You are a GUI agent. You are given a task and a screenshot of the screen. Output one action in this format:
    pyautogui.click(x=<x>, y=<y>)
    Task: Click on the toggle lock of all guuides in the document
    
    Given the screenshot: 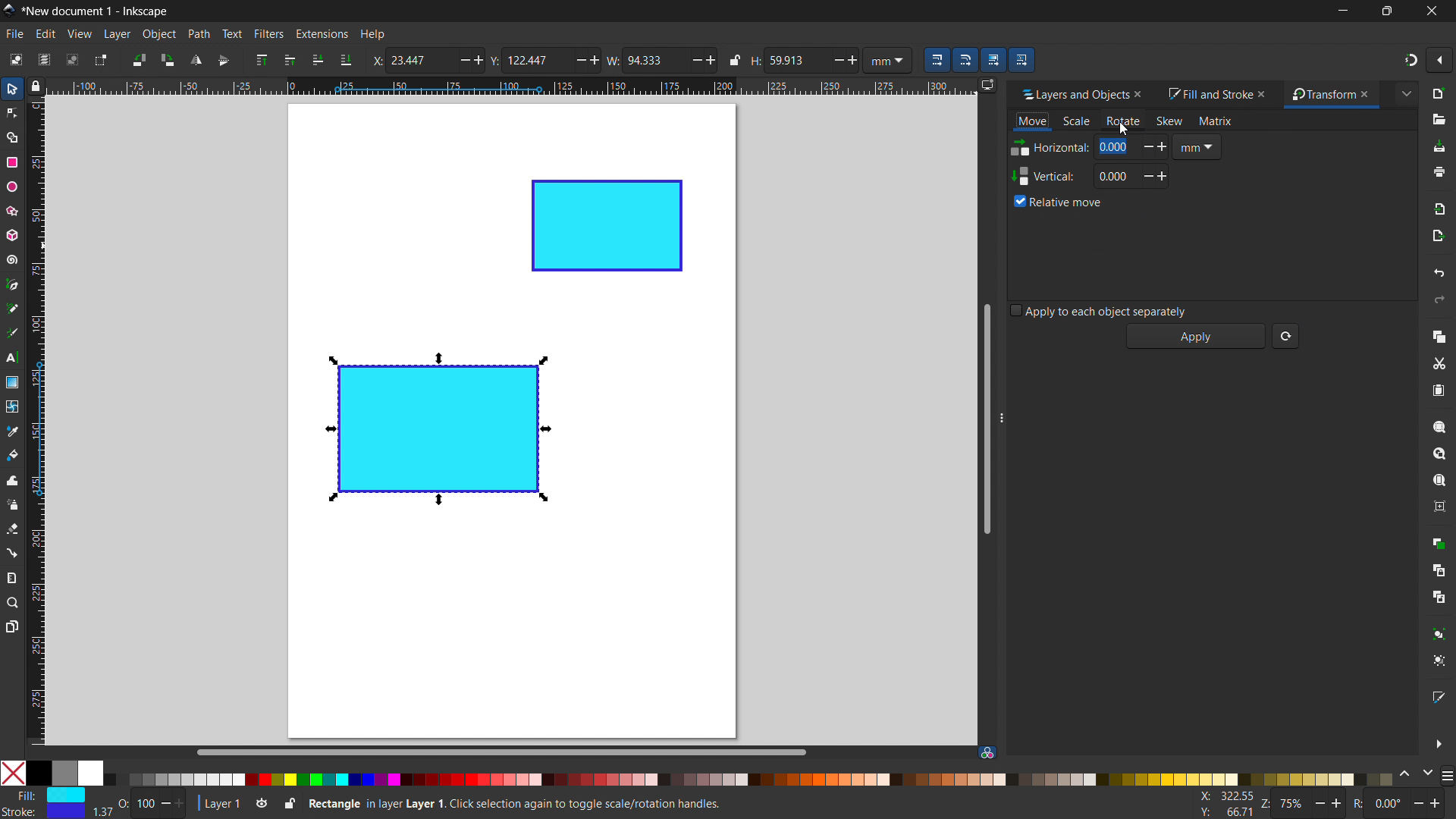 What is the action you would take?
    pyautogui.click(x=36, y=86)
    